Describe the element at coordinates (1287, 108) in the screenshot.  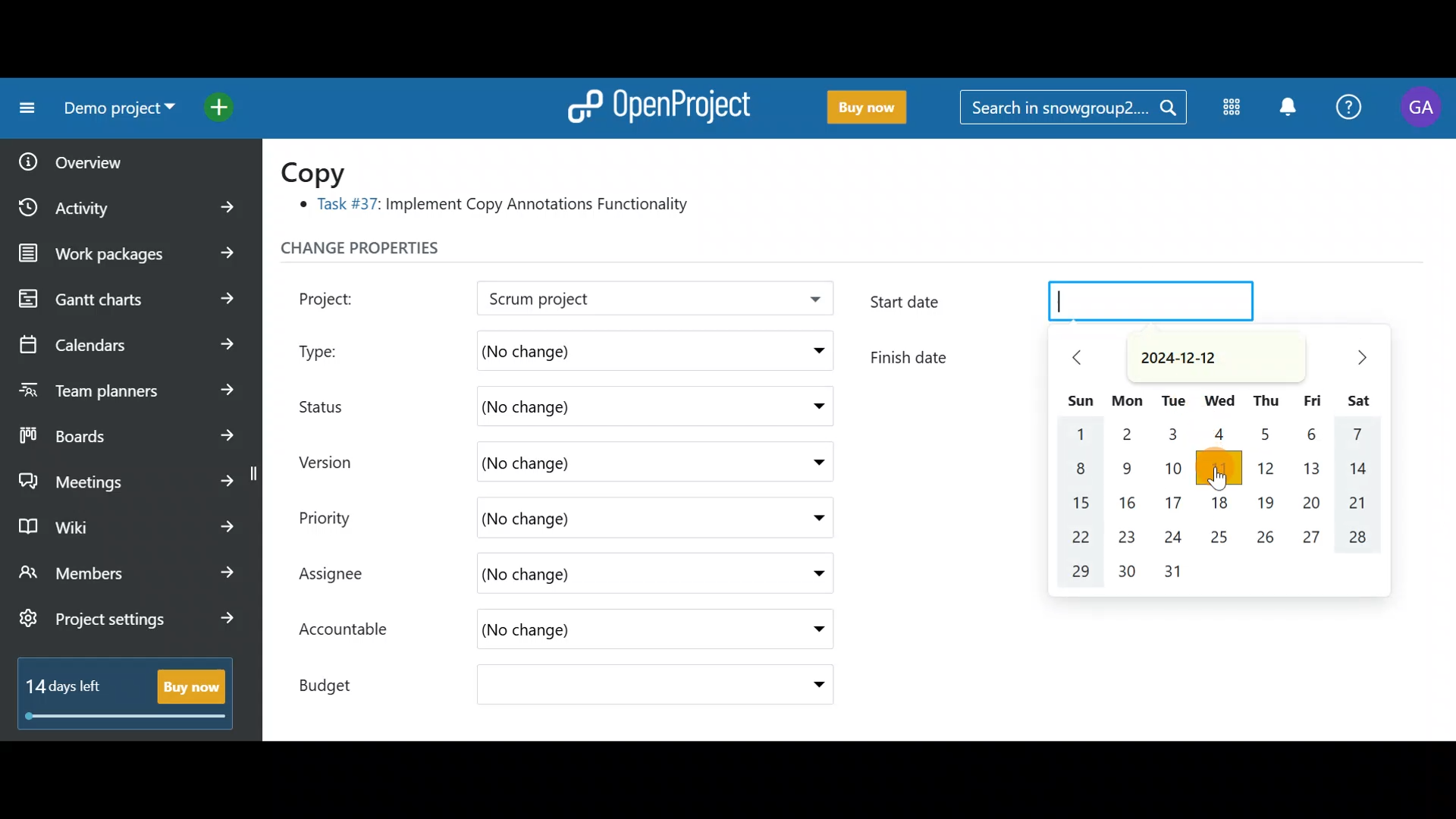
I see `Notification centre` at that location.